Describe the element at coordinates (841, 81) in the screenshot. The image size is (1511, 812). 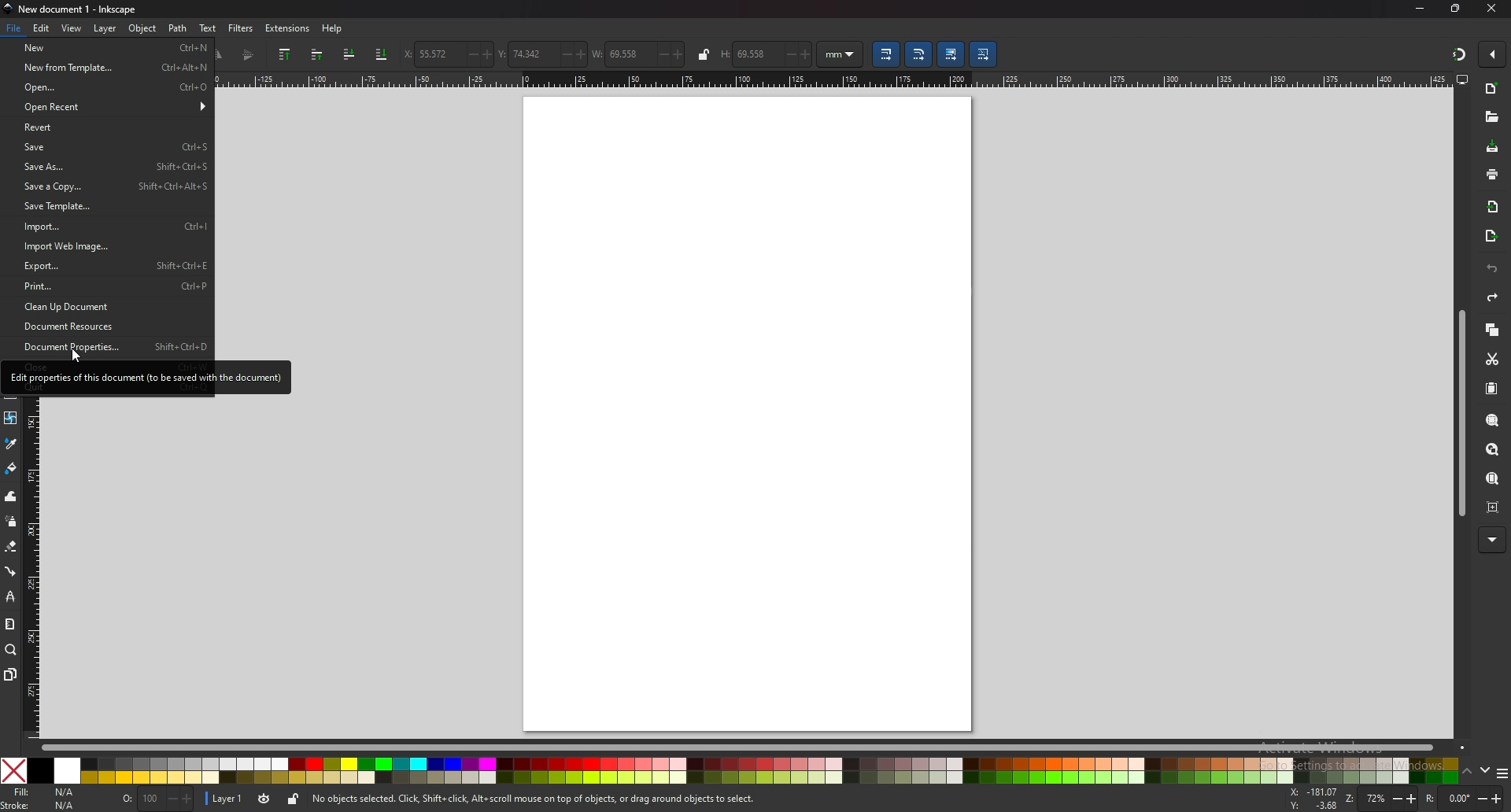
I see `horizontal ruler` at that location.